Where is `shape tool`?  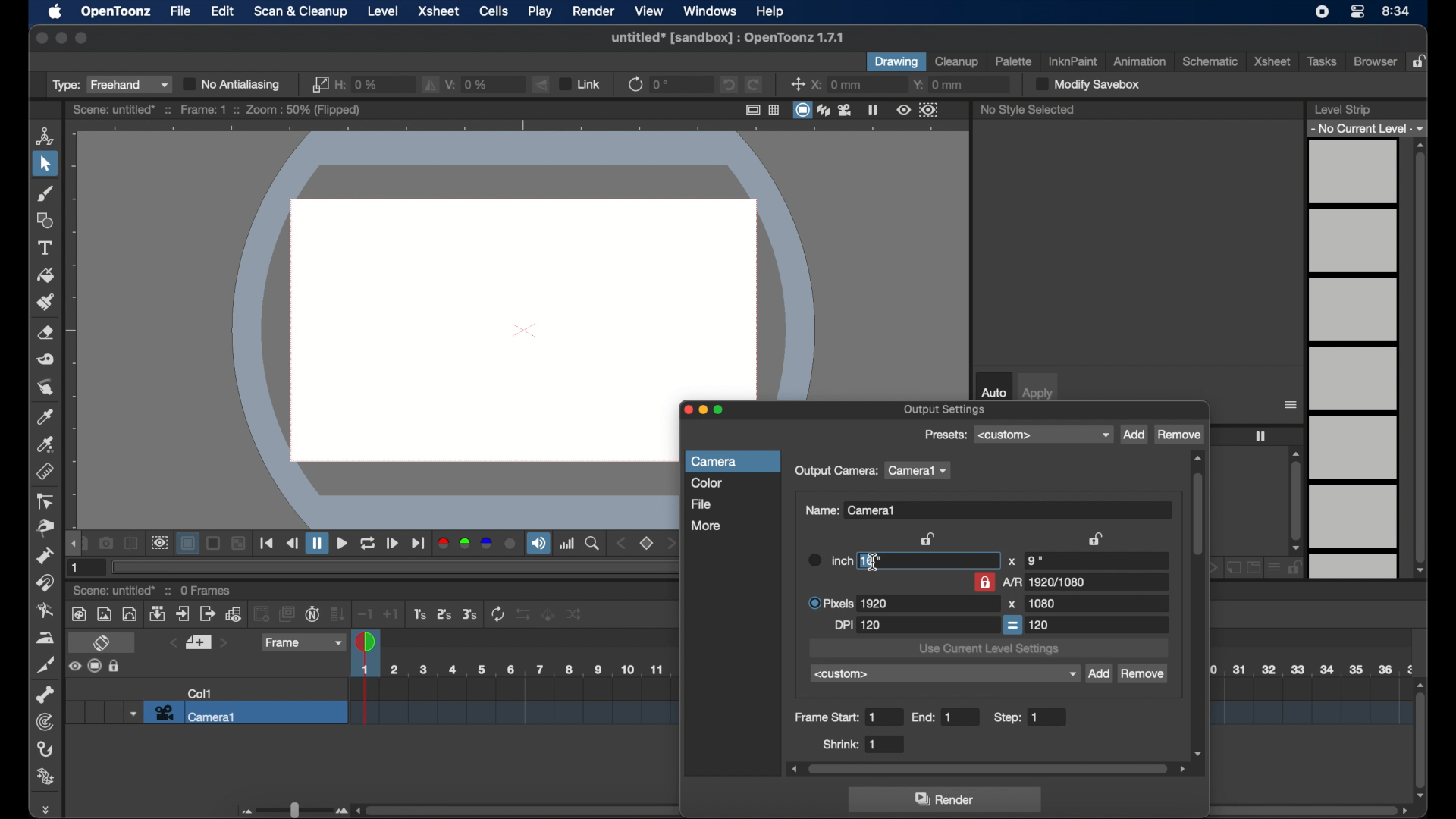
shape tool is located at coordinates (45, 220).